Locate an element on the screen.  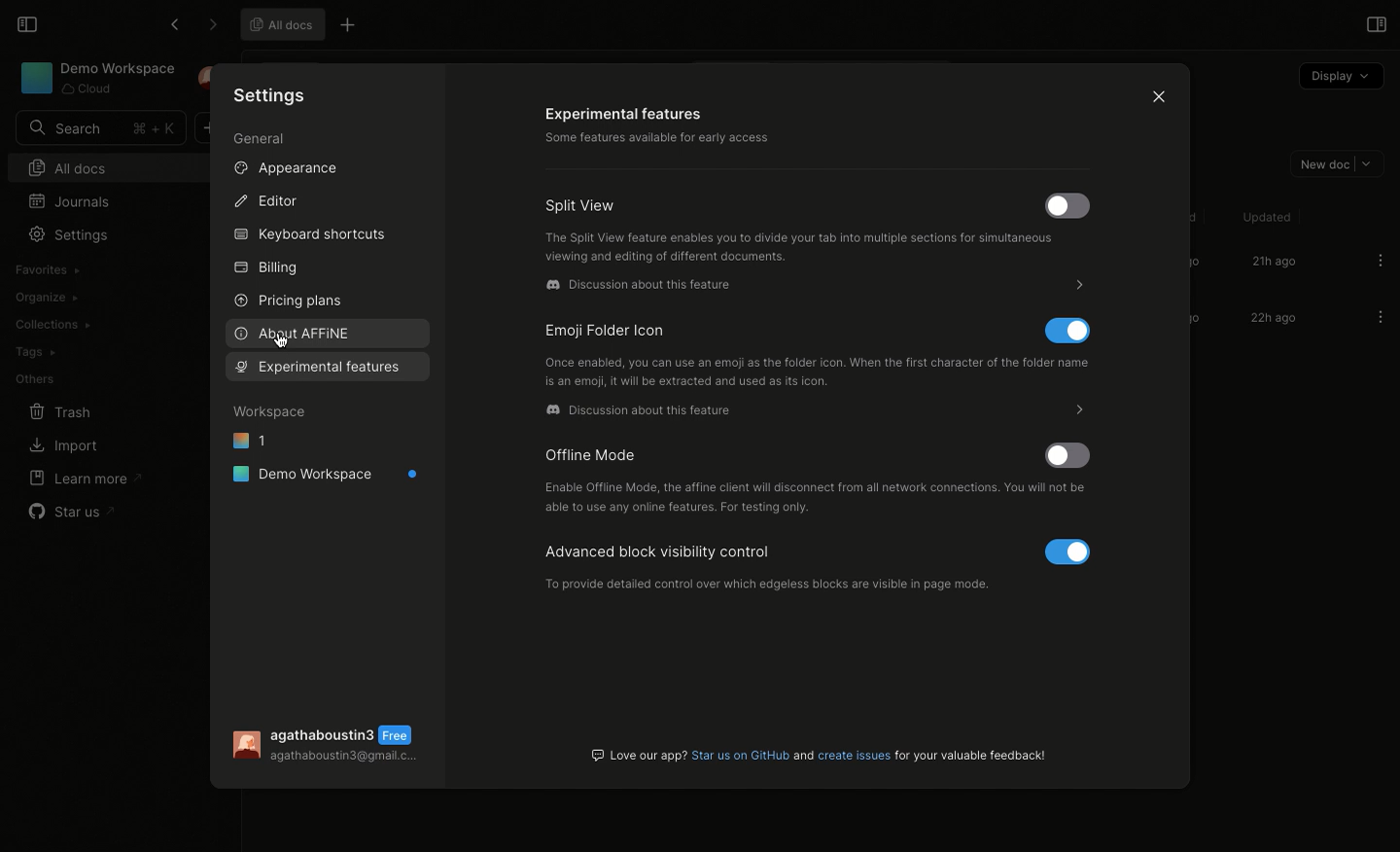
Enabled is located at coordinates (1067, 333).